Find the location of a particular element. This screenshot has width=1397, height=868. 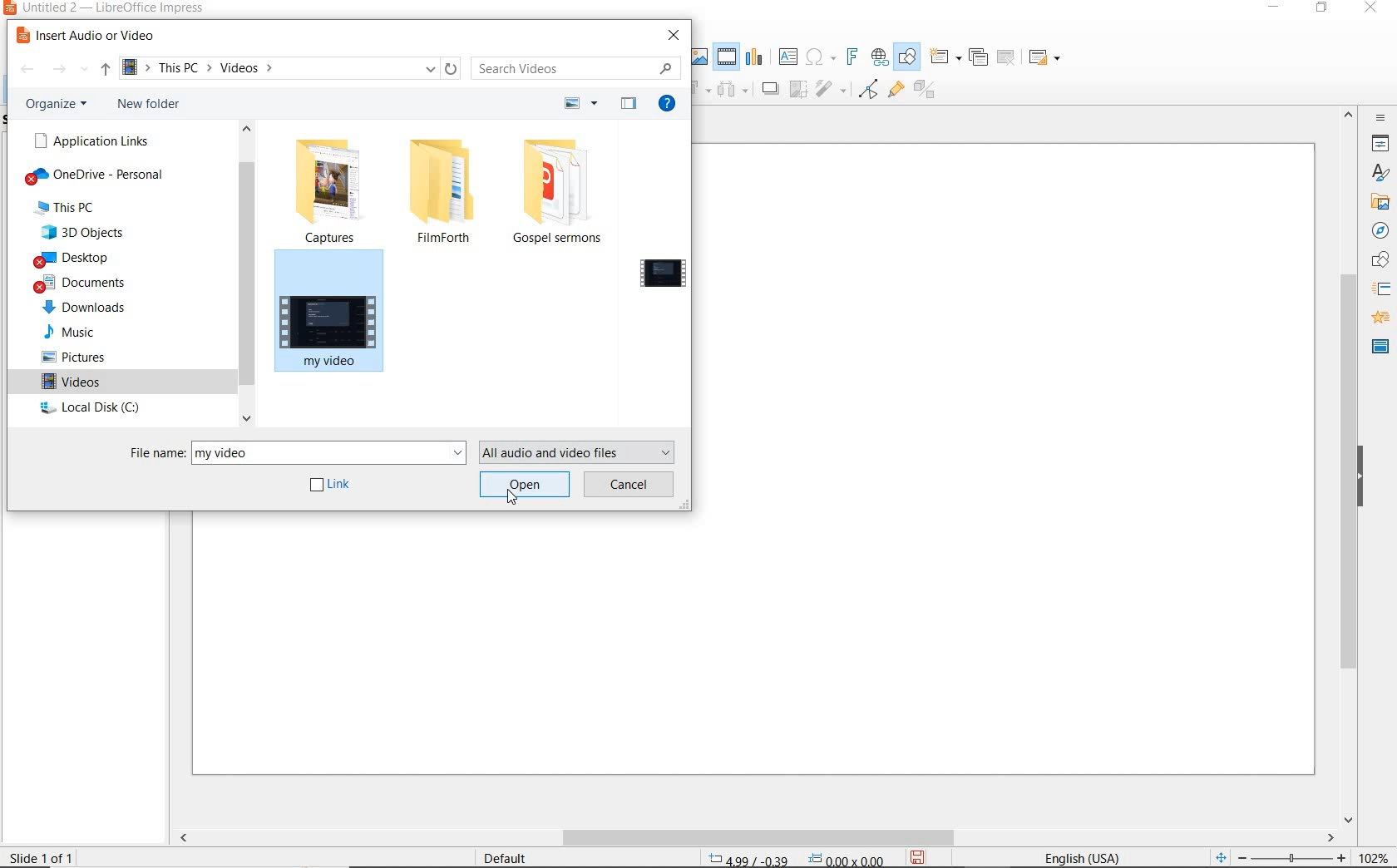

SLIDE LAYOUT is located at coordinates (1044, 57).